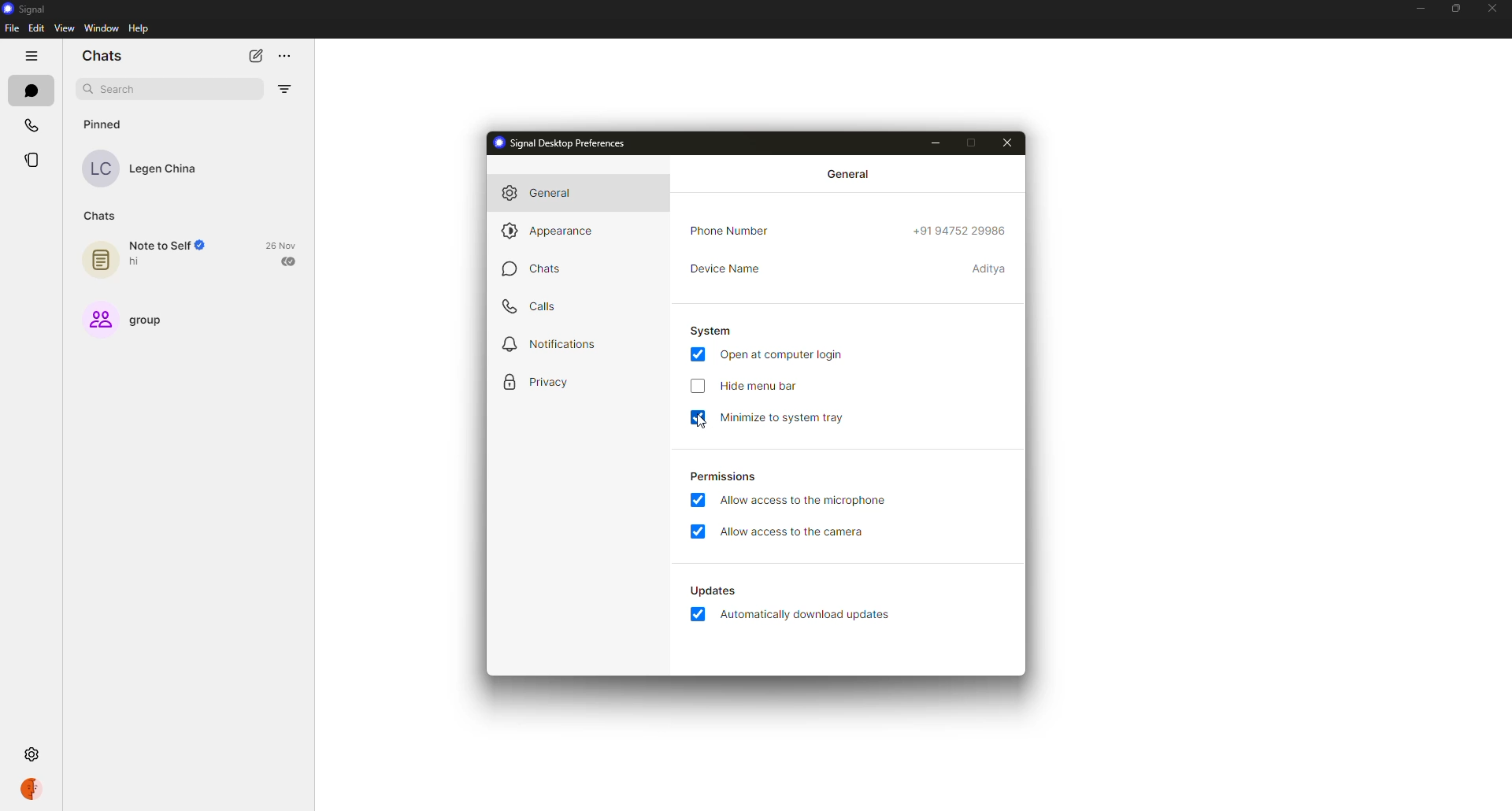 This screenshot has width=1512, height=811. What do you see at coordinates (11, 30) in the screenshot?
I see `file` at bounding box center [11, 30].